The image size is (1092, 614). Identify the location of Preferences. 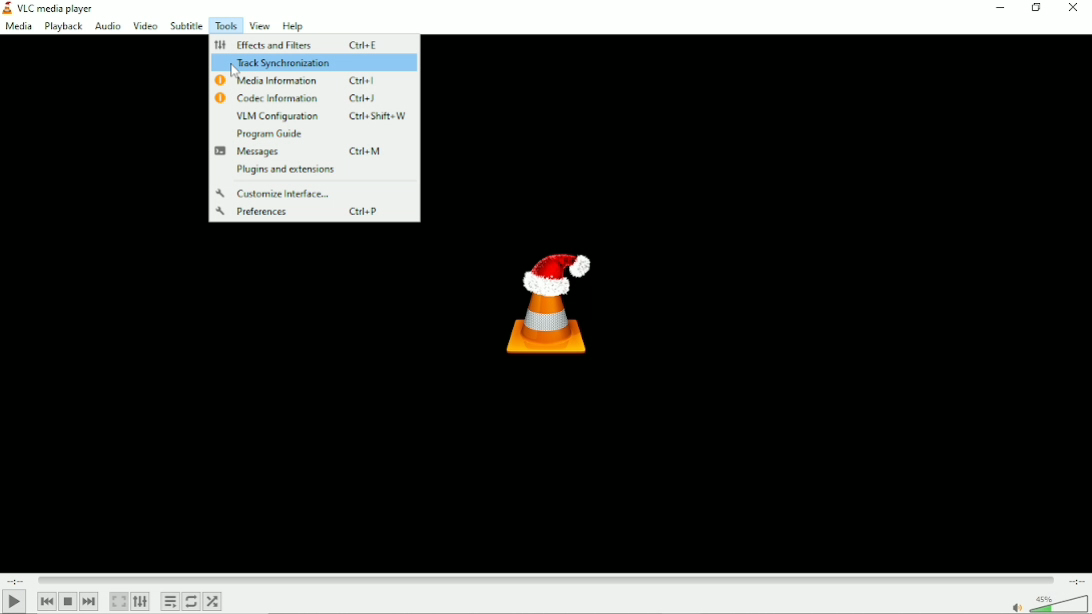
(312, 212).